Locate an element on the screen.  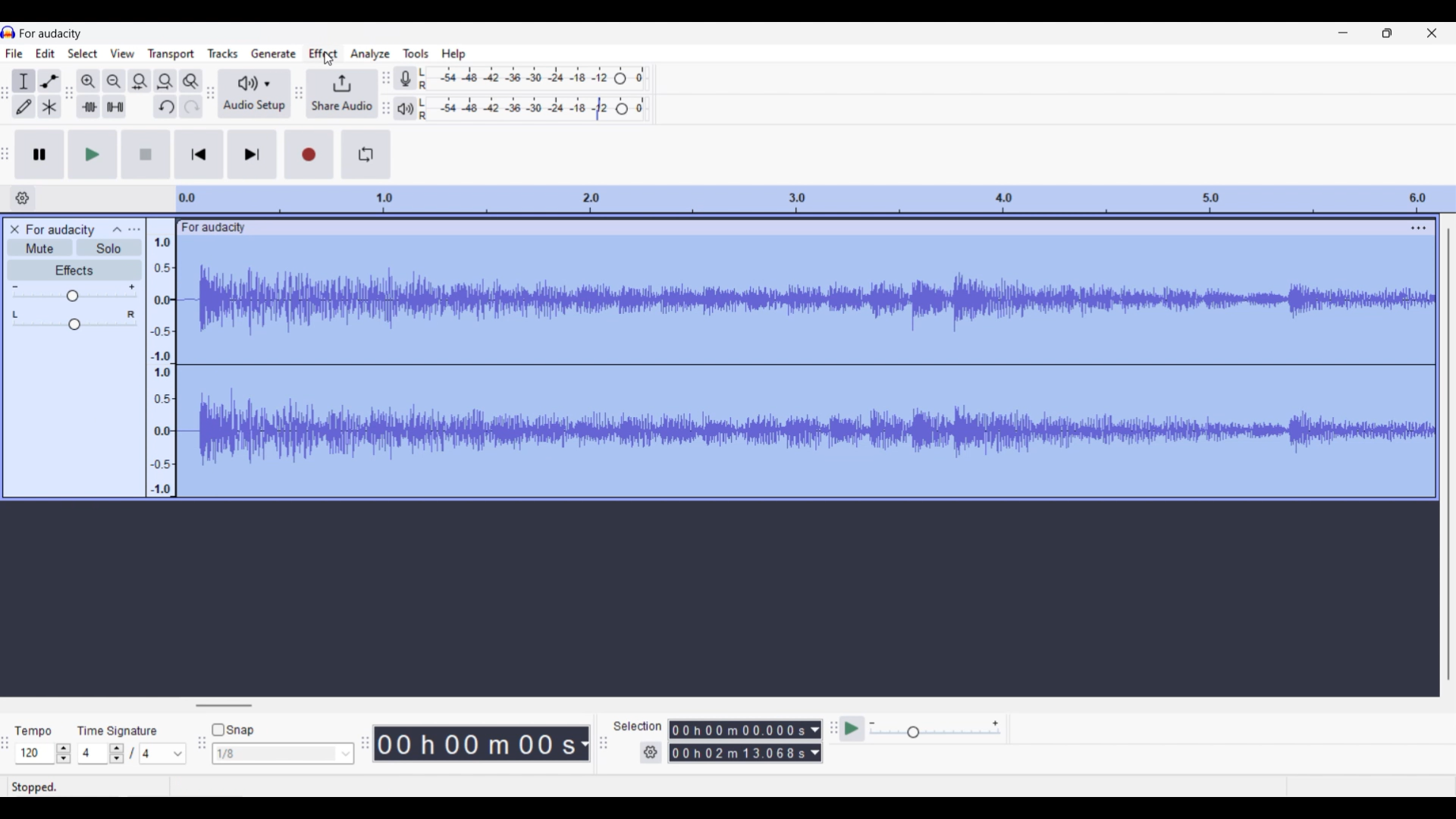
Record/Record new track is located at coordinates (309, 155).